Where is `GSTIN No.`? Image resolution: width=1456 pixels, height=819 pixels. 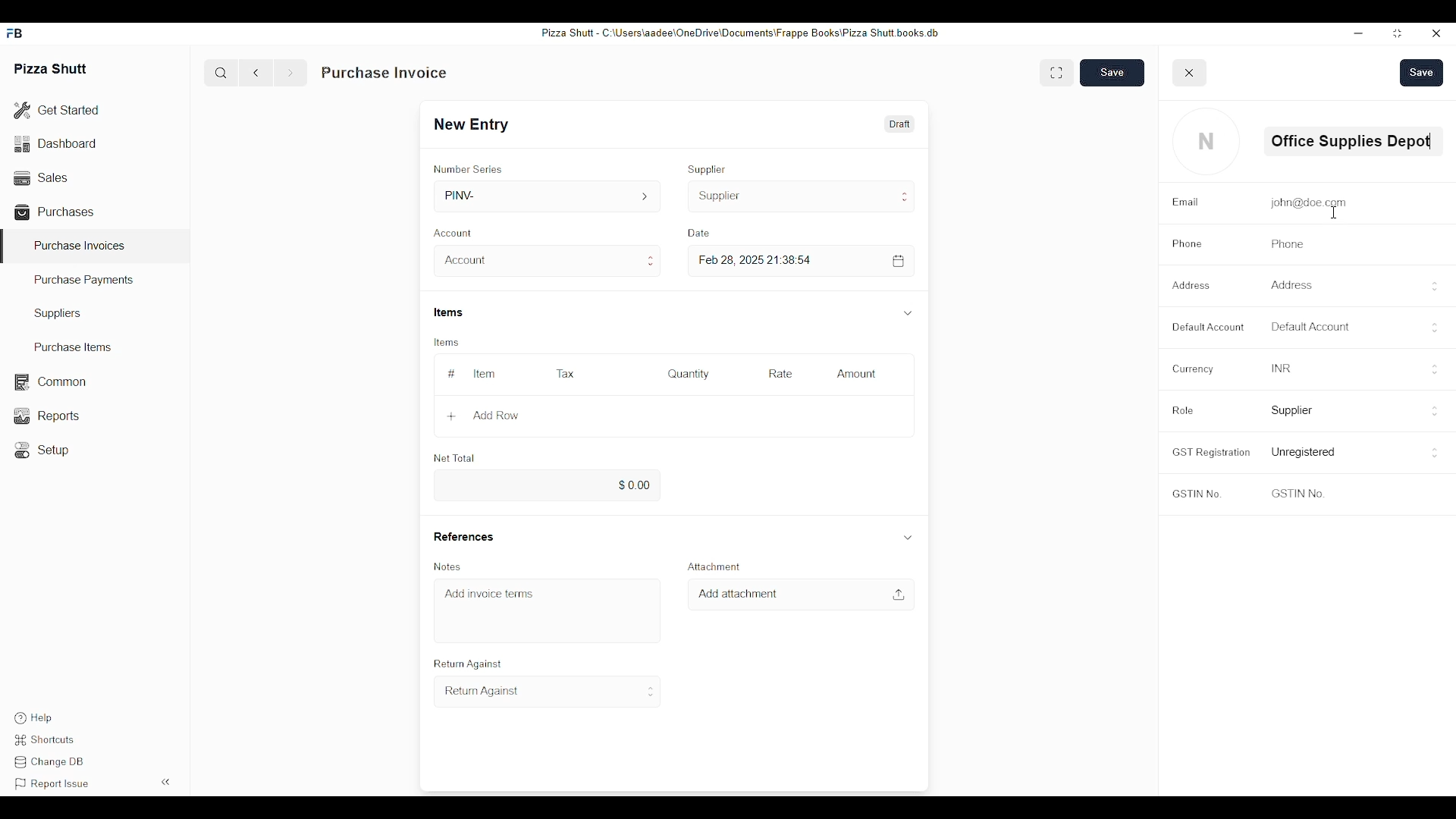 GSTIN No. is located at coordinates (1196, 495).